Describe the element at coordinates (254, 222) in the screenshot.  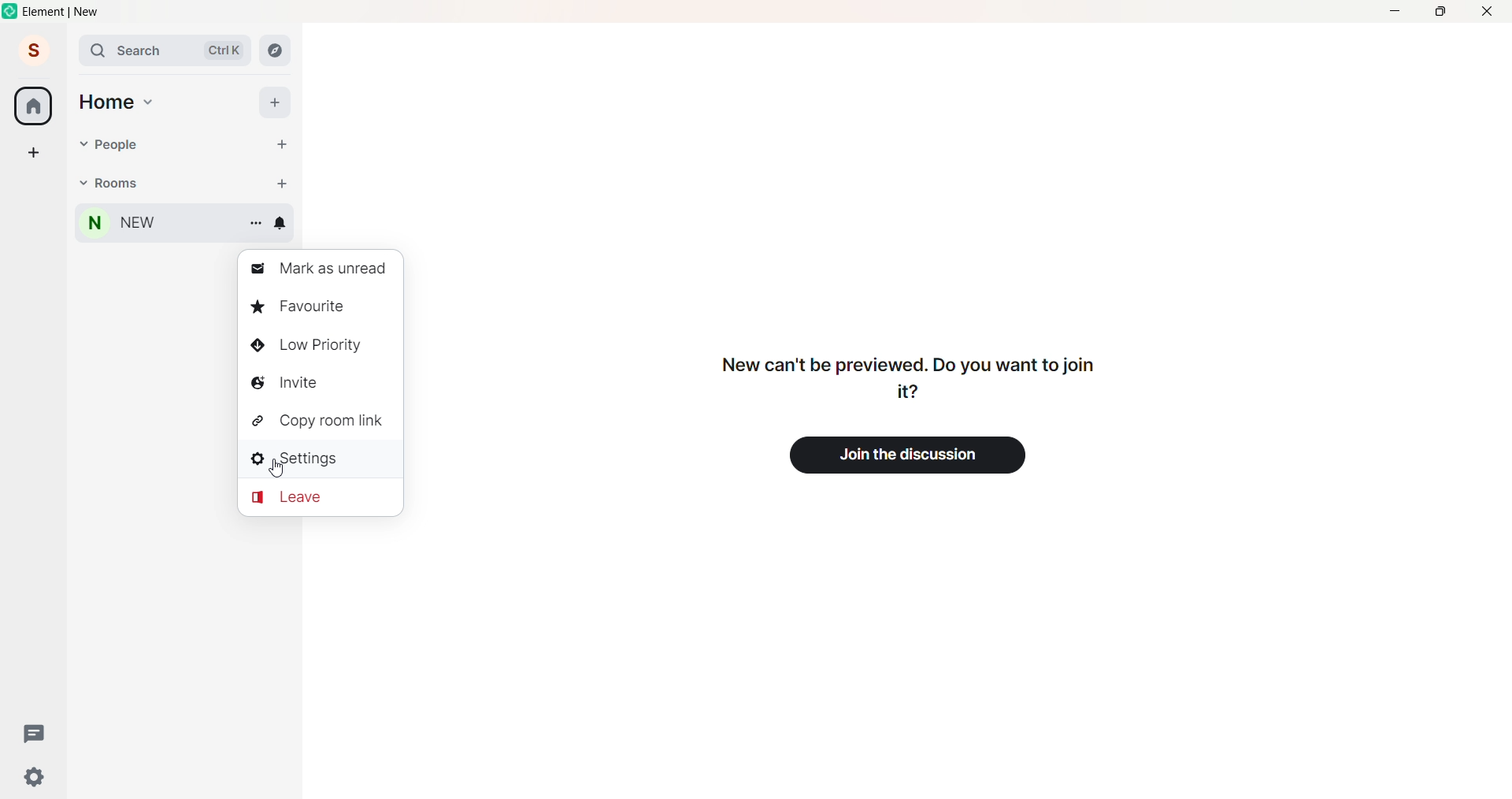
I see `room options` at that location.